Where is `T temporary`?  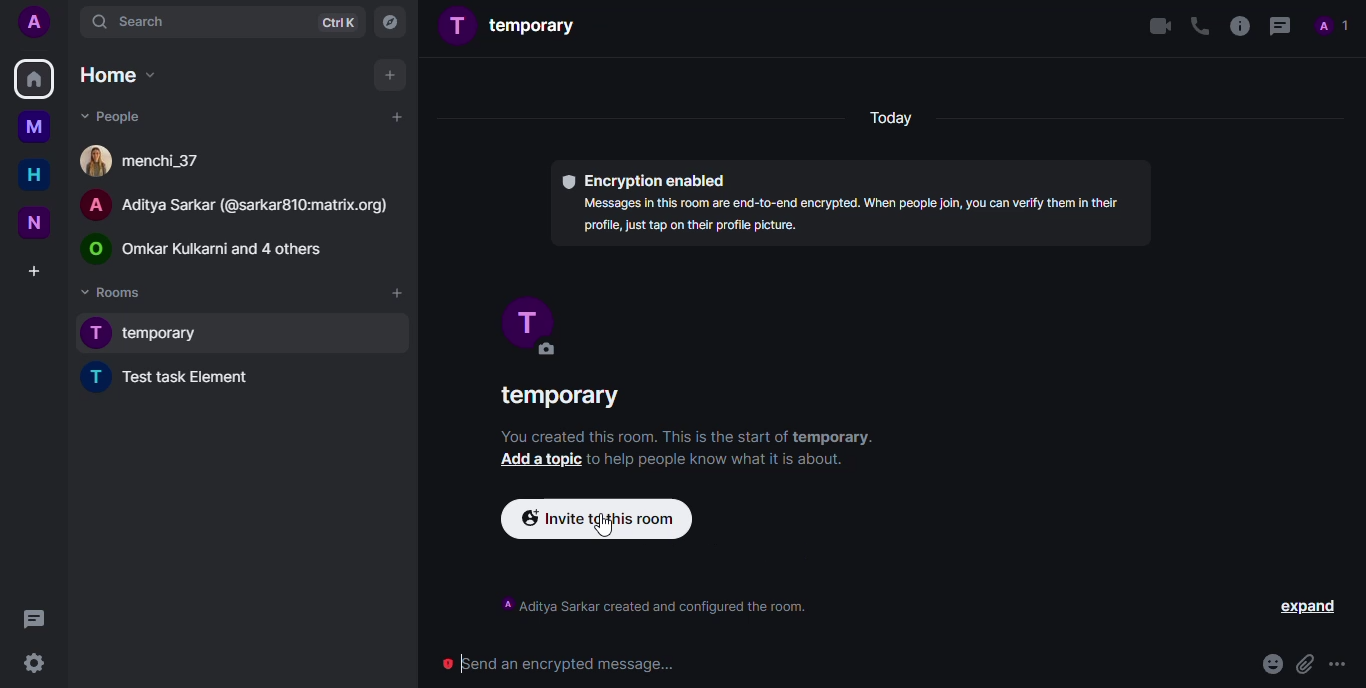 T temporary is located at coordinates (152, 334).